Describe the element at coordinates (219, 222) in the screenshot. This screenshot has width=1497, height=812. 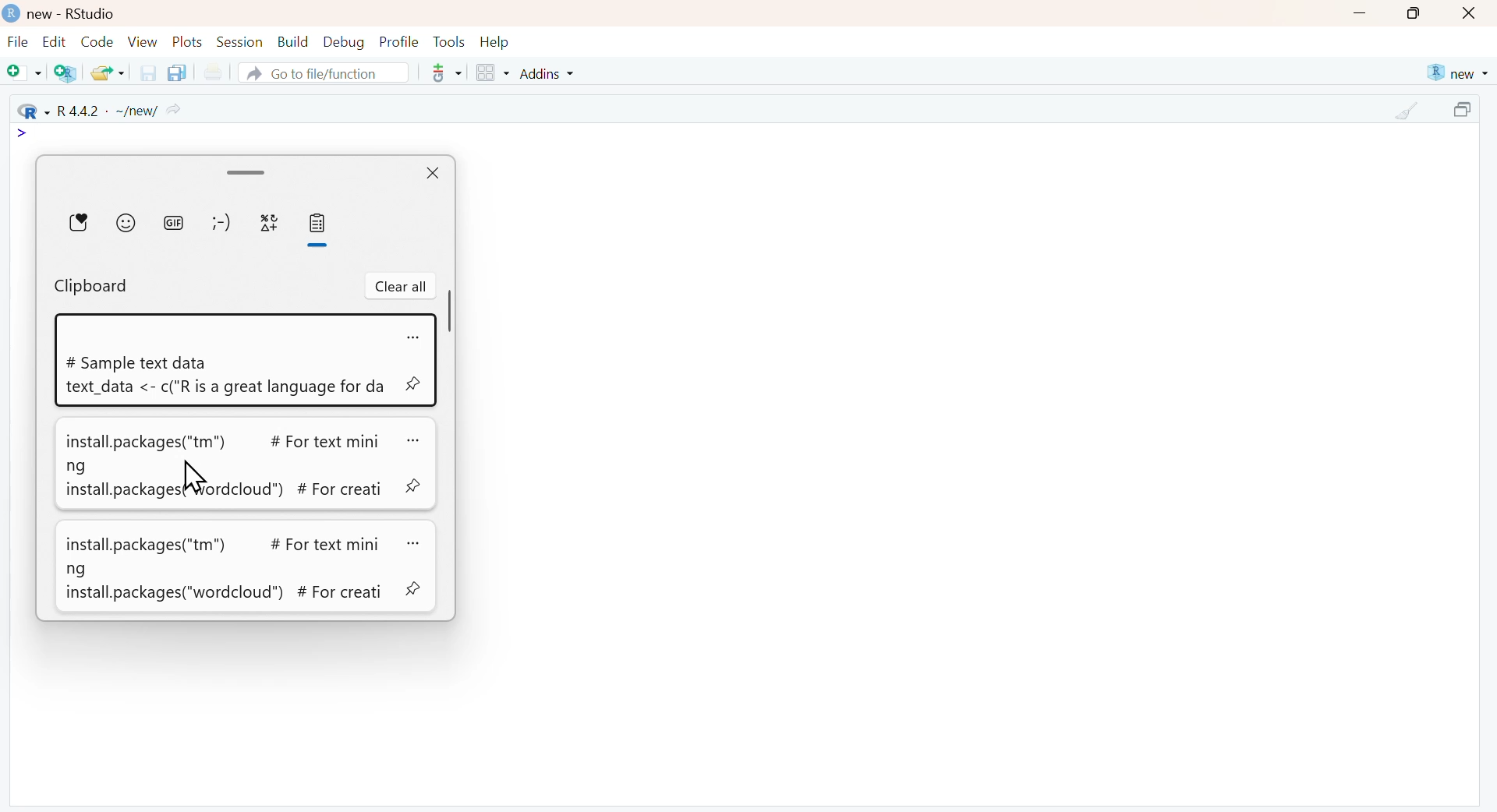
I see `Emoticon` at that location.